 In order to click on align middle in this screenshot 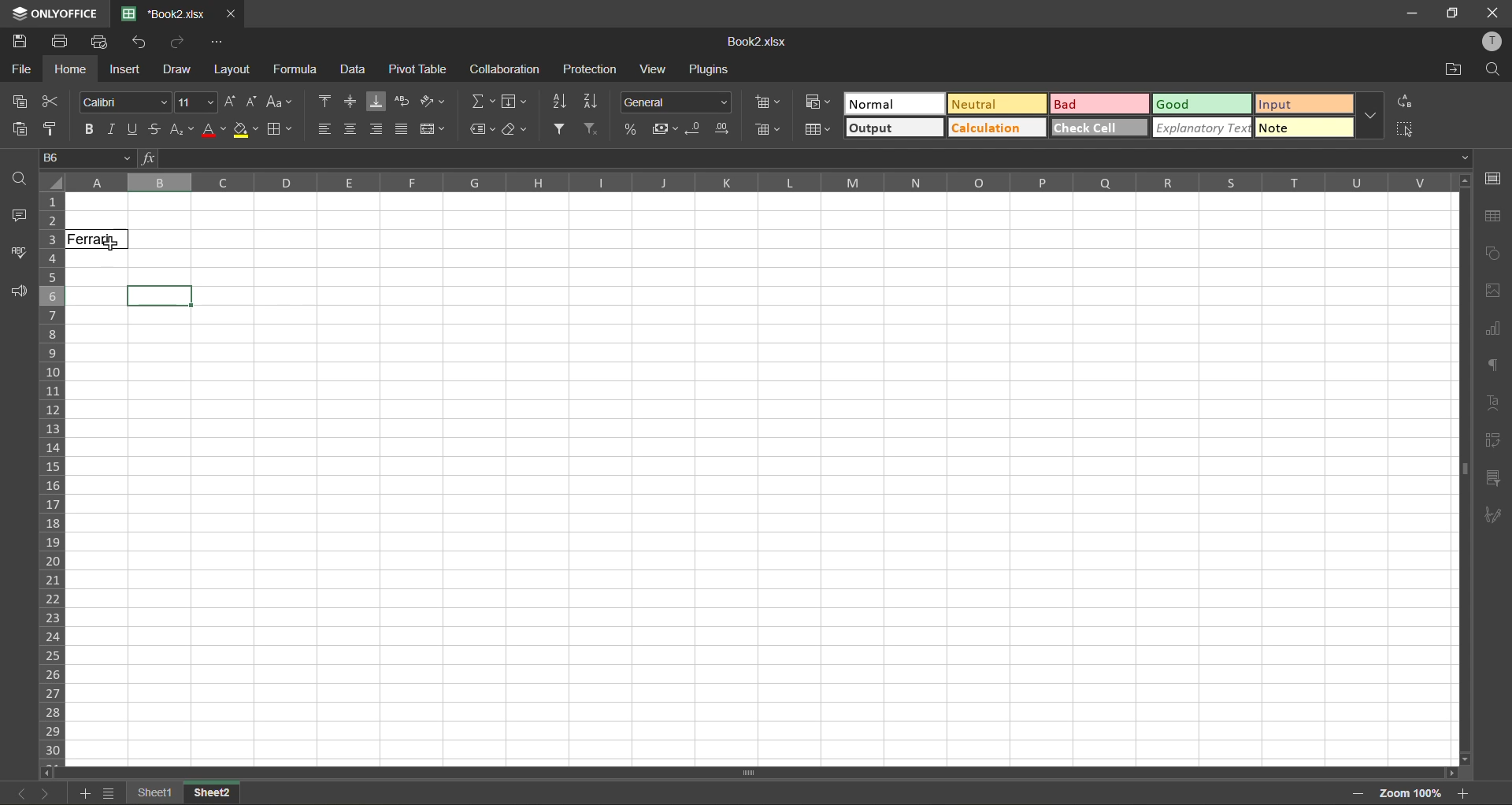, I will do `click(350, 101)`.